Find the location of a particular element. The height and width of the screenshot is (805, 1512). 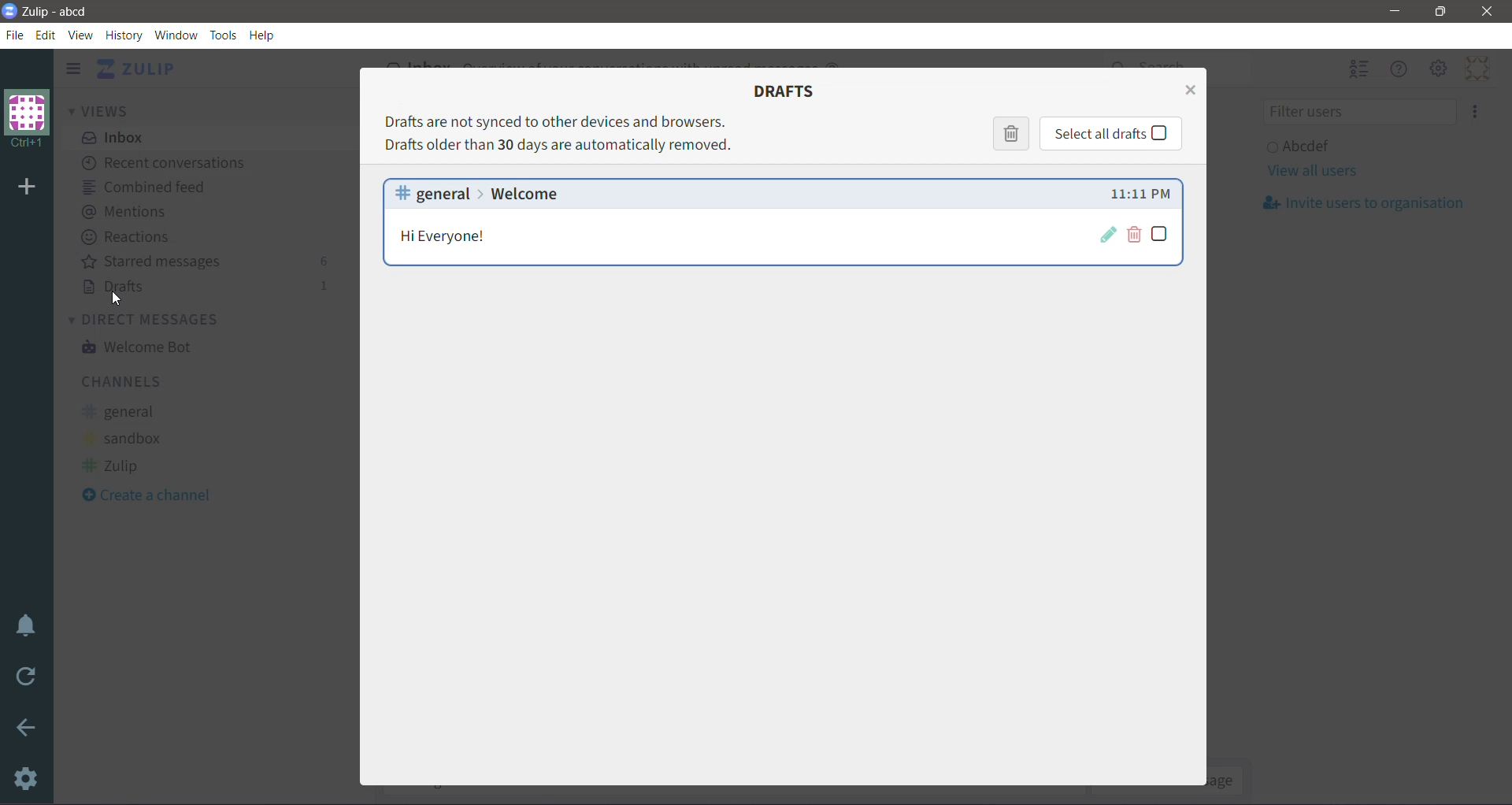

Minimize is located at coordinates (1395, 11).